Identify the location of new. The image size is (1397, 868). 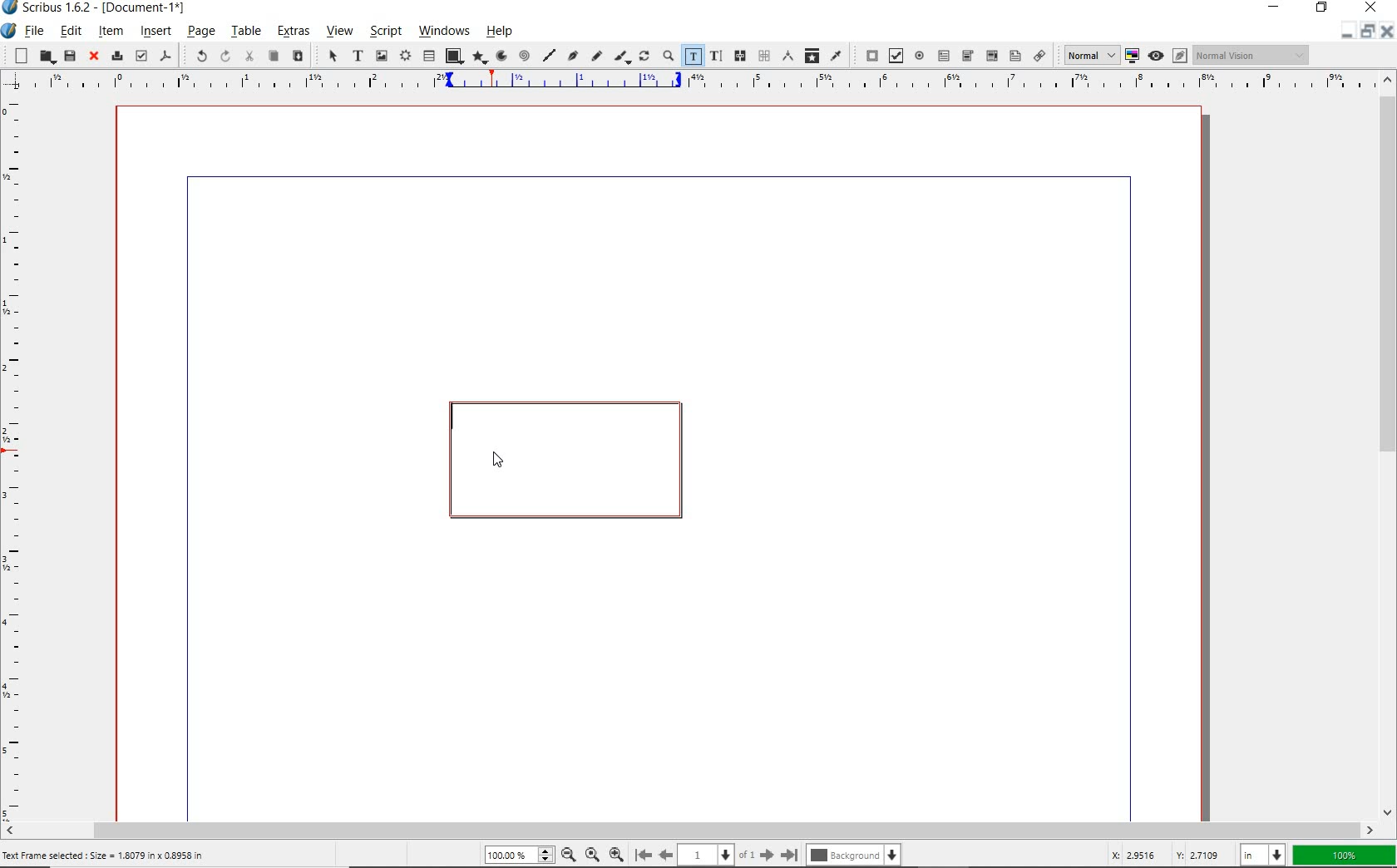
(21, 55).